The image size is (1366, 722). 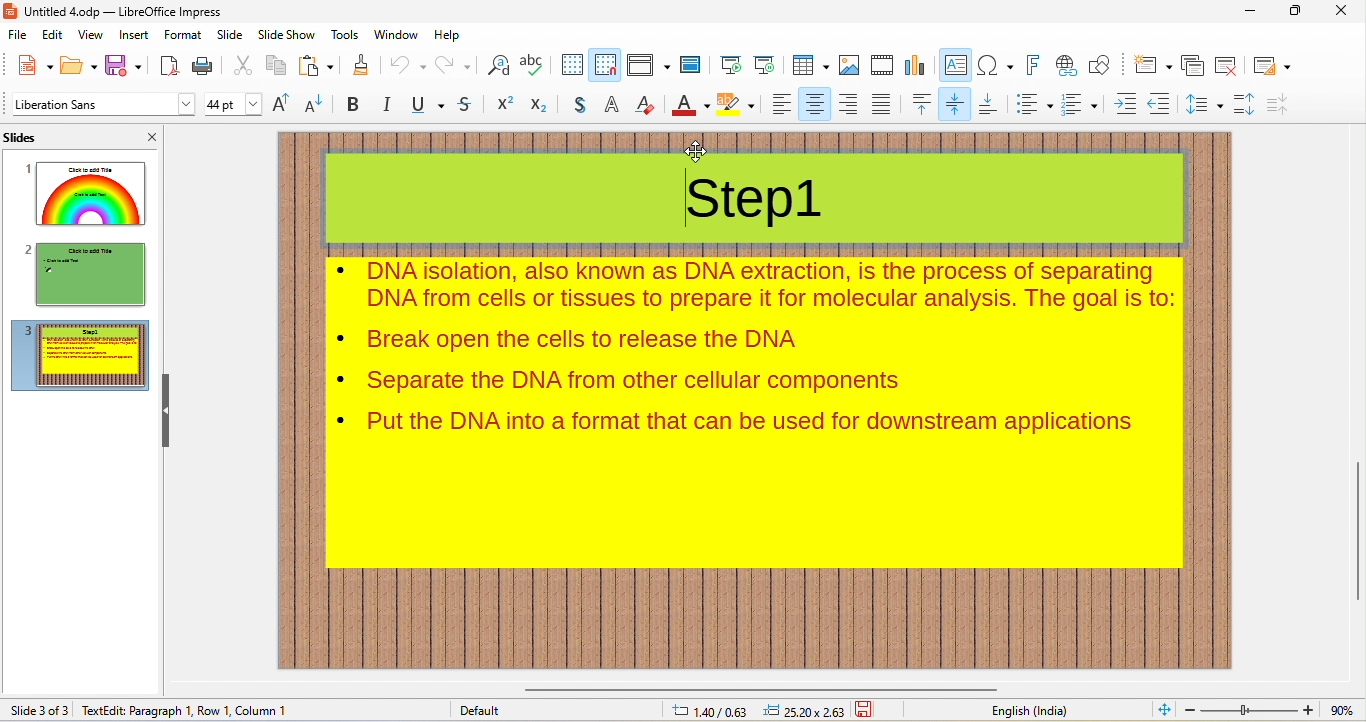 What do you see at coordinates (753, 338) in the screenshot?
I see `contents` at bounding box center [753, 338].